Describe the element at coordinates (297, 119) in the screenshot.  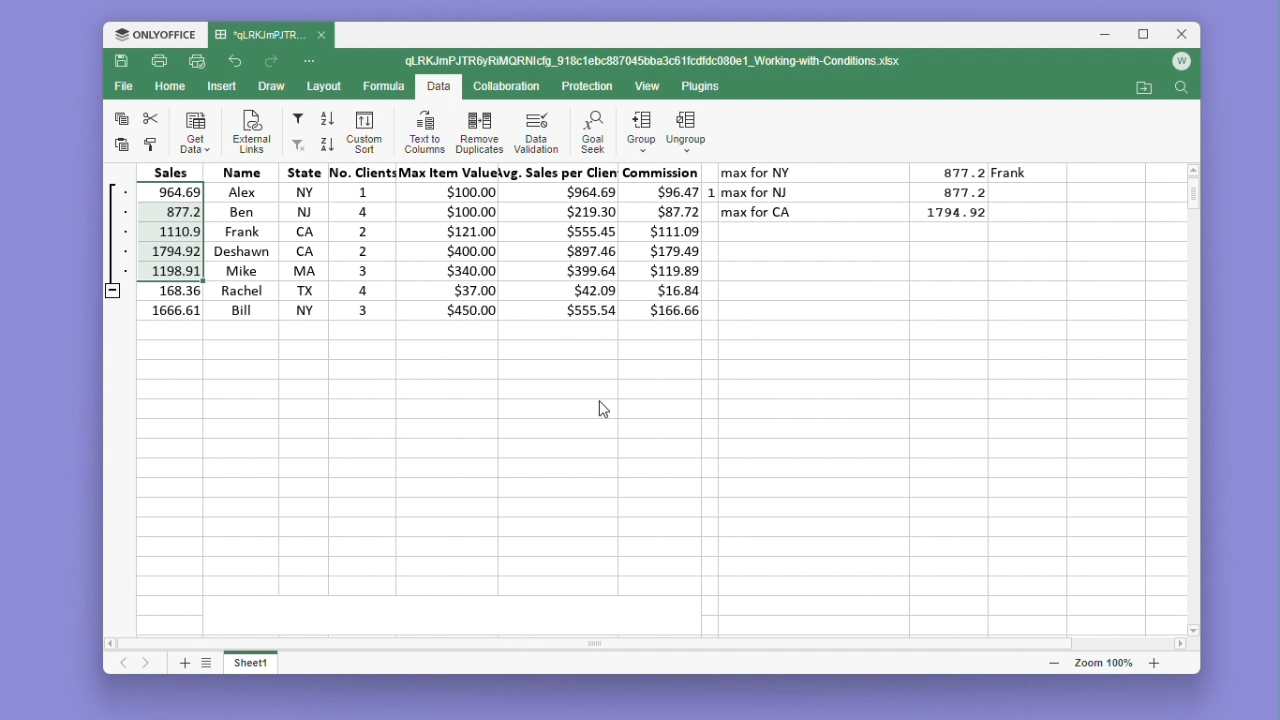
I see `Filter` at that location.